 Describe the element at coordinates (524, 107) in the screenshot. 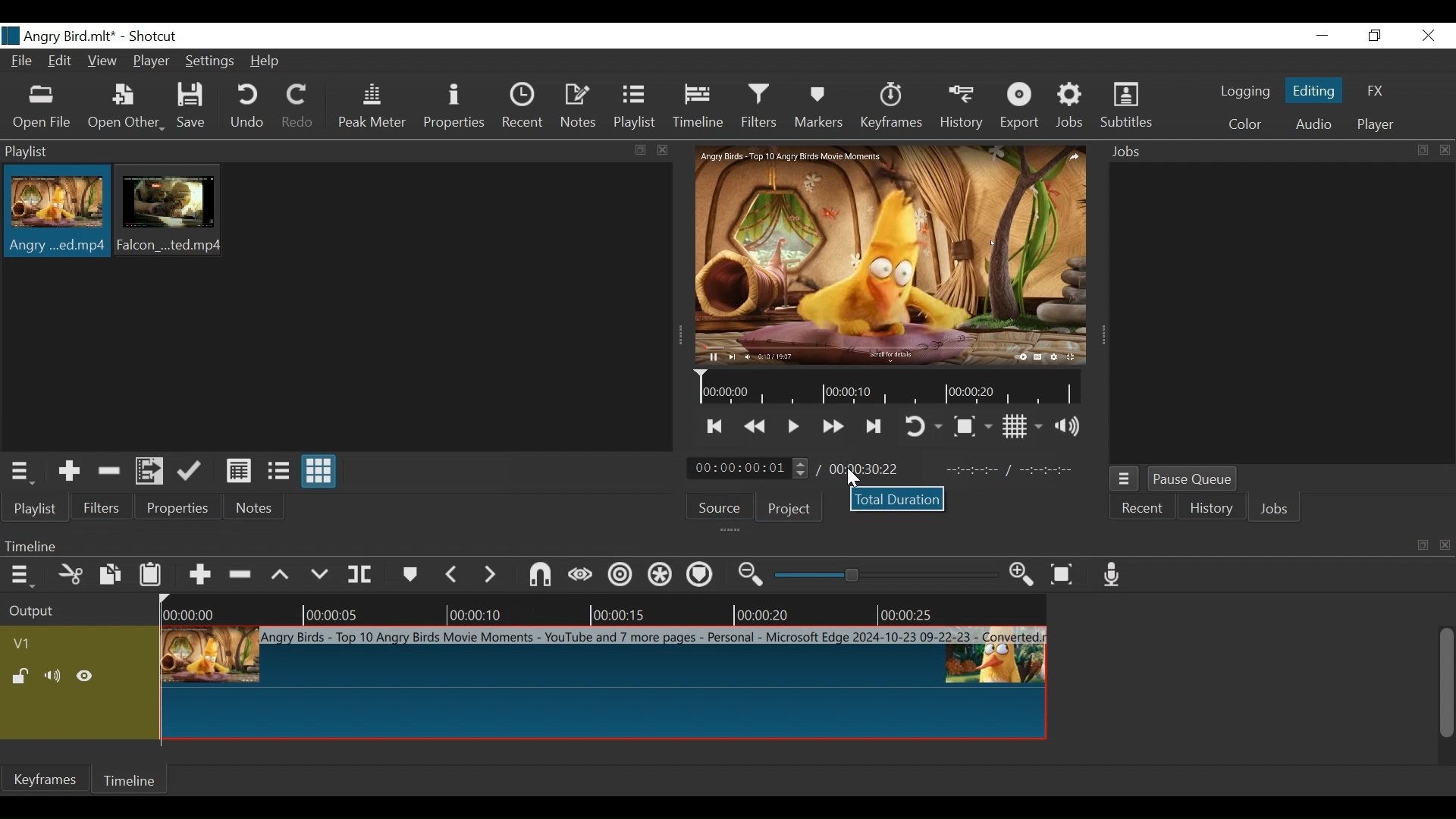

I see `Recent` at that location.